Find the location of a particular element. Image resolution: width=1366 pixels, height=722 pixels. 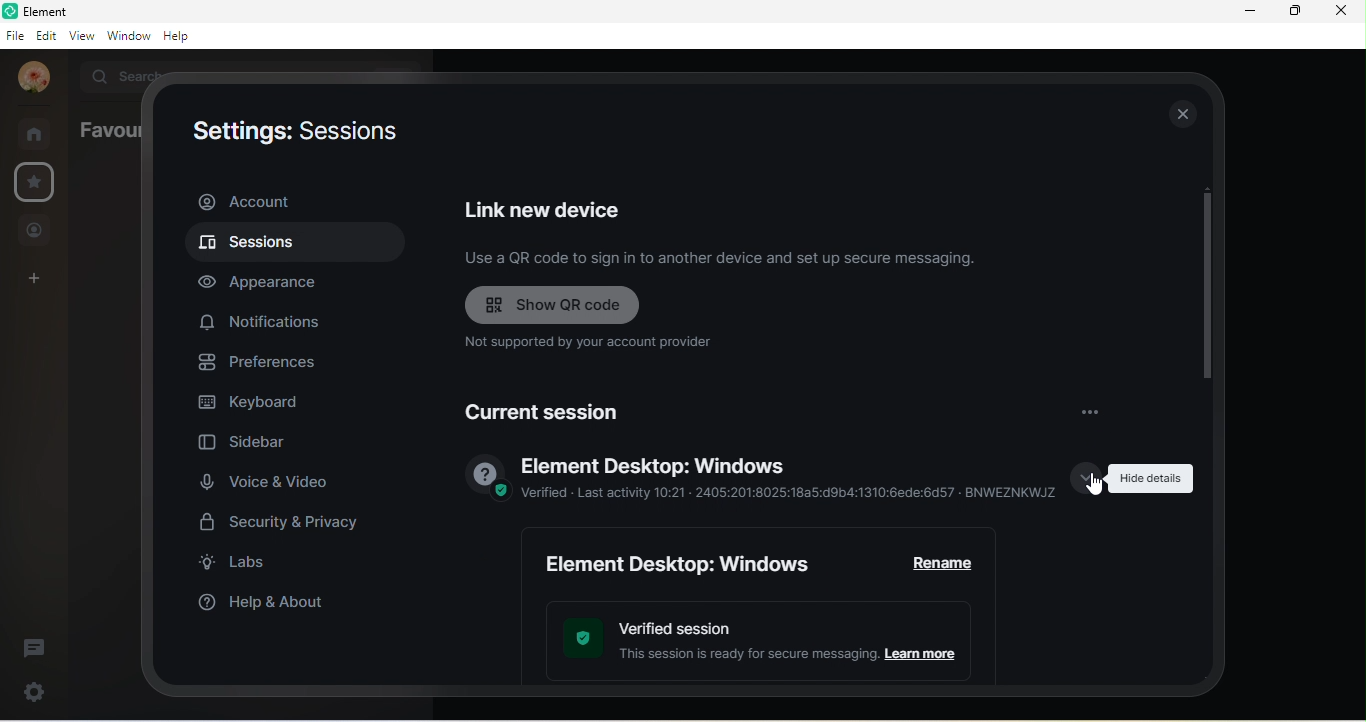

close is located at coordinates (1181, 113).